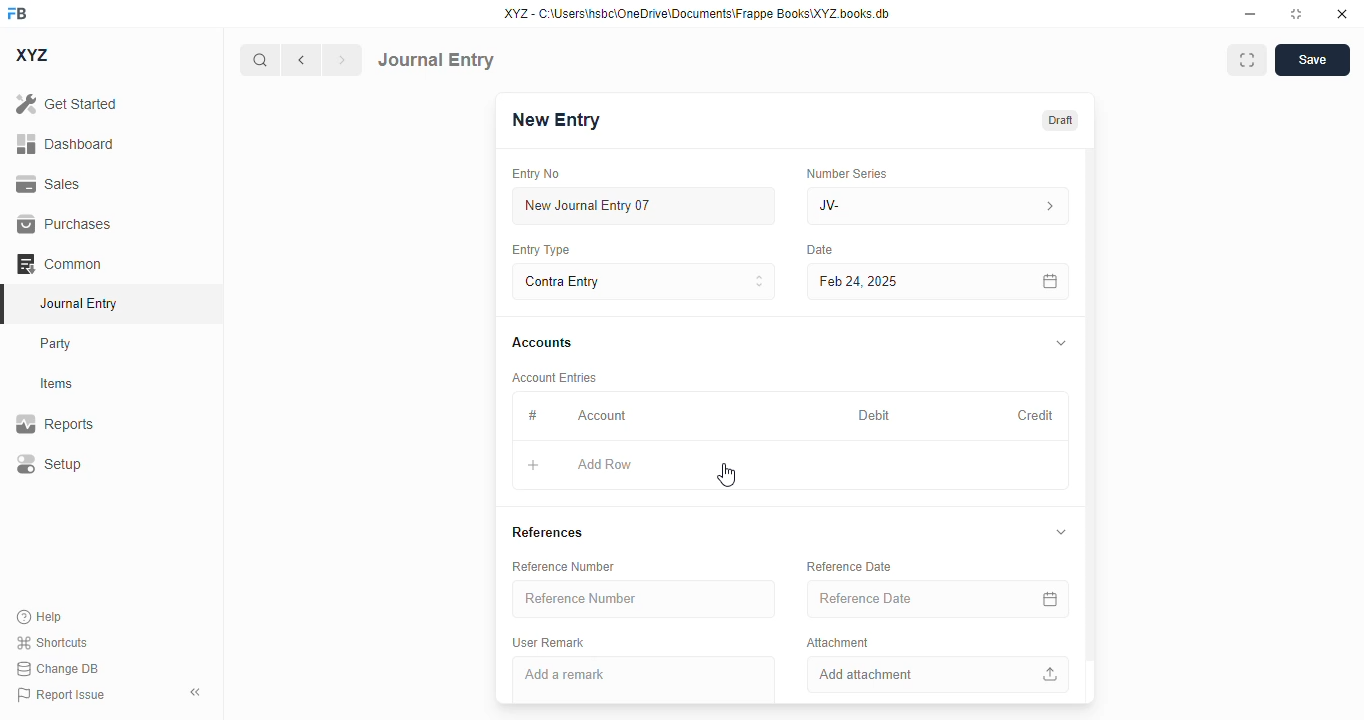 This screenshot has width=1364, height=720. What do you see at coordinates (259, 60) in the screenshot?
I see `search` at bounding box center [259, 60].